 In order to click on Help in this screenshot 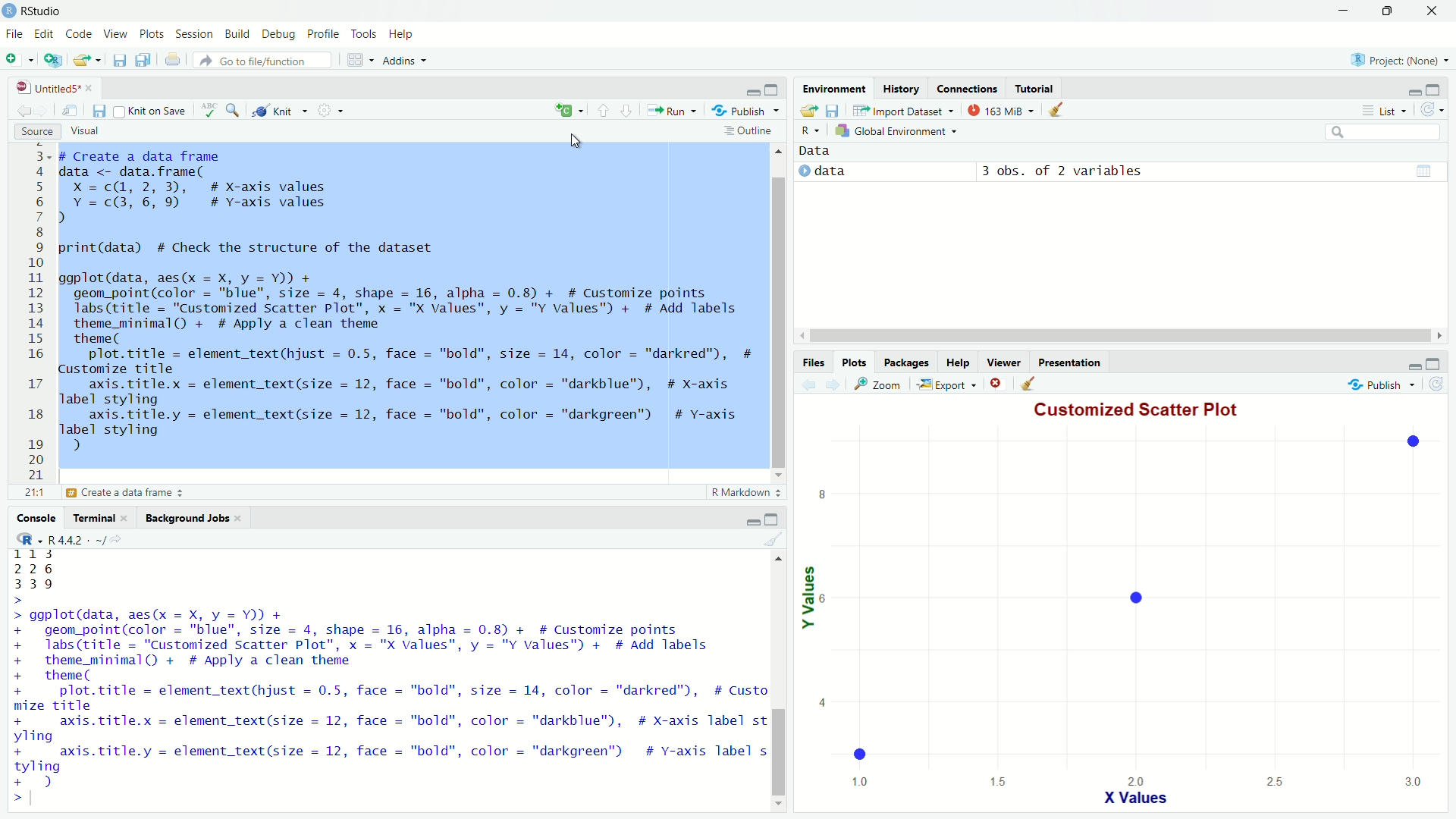, I will do `click(955, 365)`.